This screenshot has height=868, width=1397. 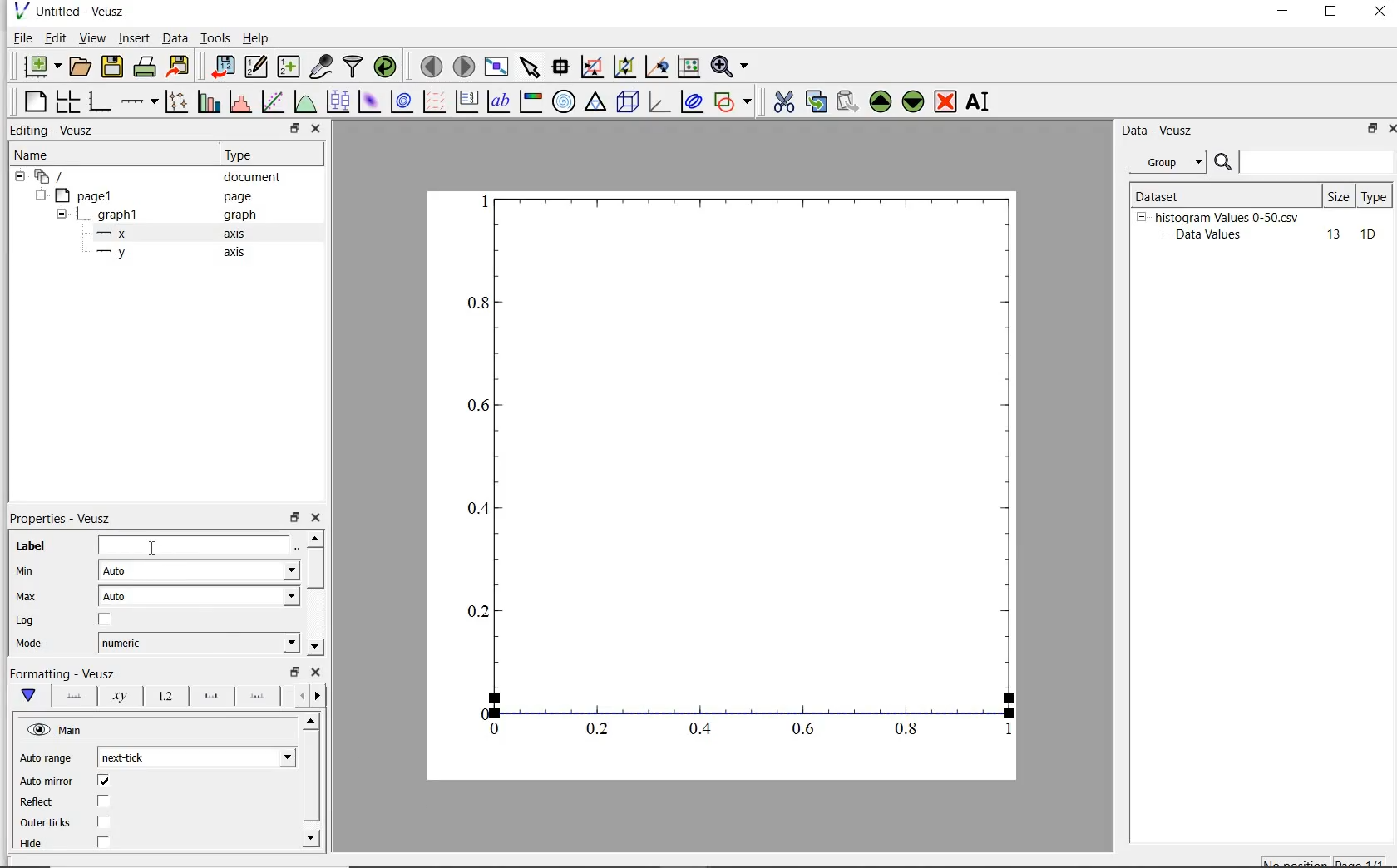 What do you see at coordinates (782, 104) in the screenshot?
I see `cut the the selected widget` at bounding box center [782, 104].